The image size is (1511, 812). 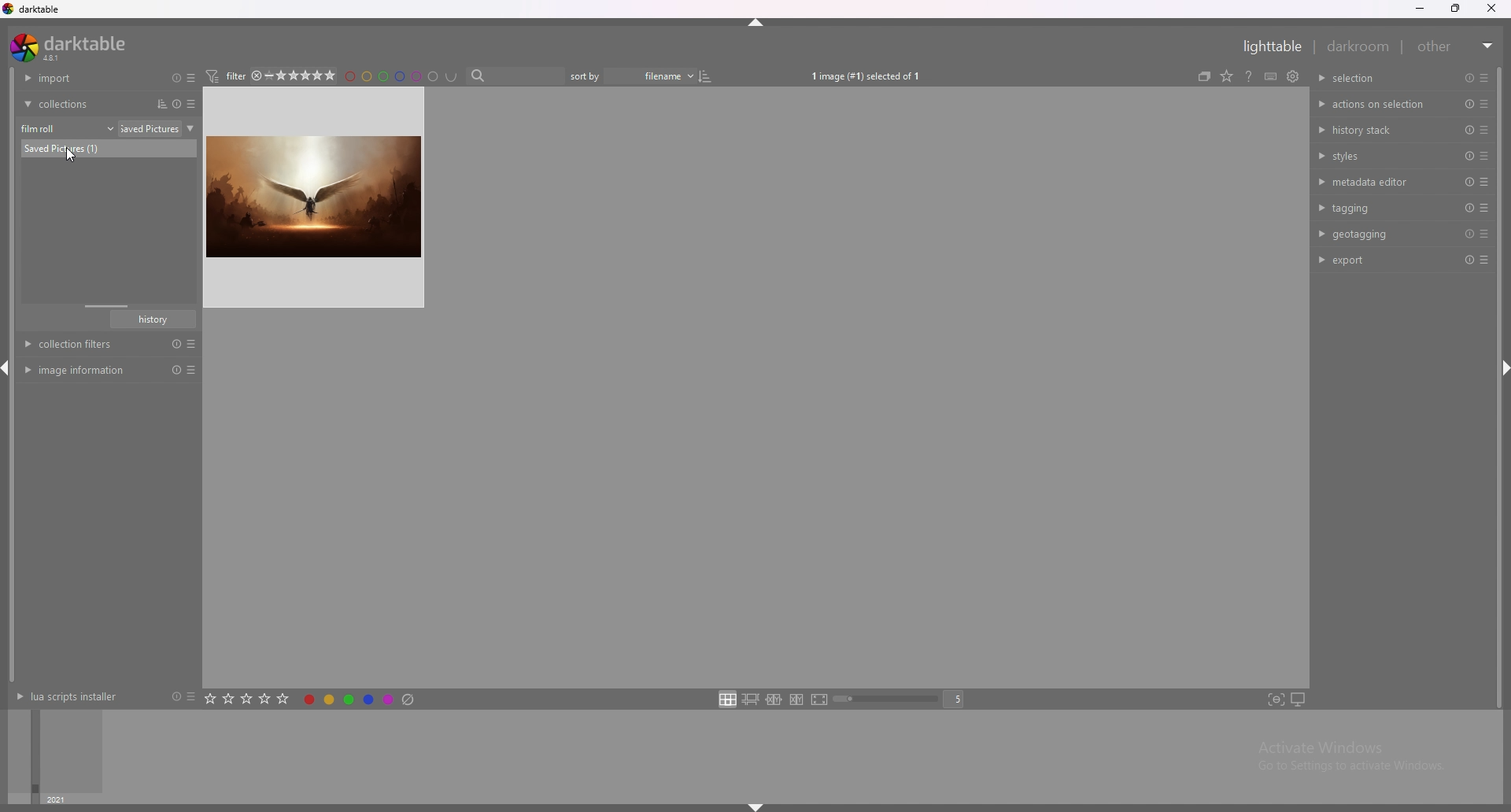 I want to click on zoomable lighttable layout, so click(x=750, y=699).